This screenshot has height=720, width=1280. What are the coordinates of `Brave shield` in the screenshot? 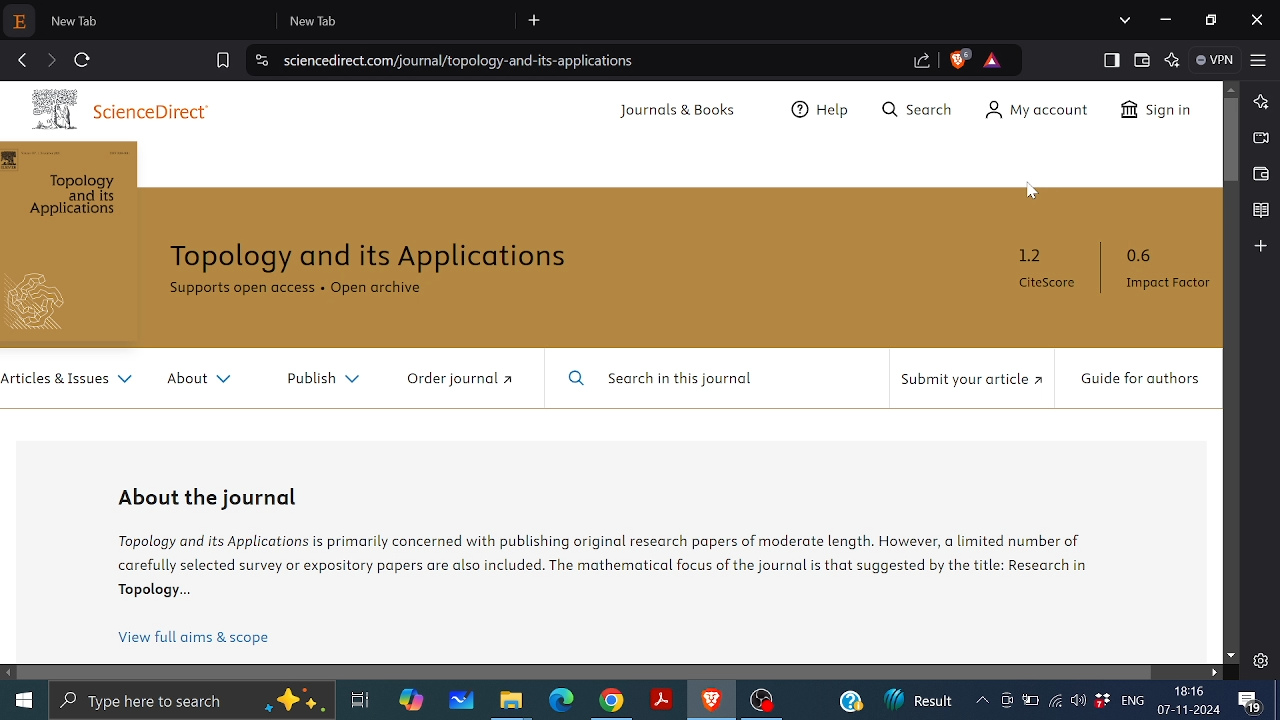 It's located at (961, 60).